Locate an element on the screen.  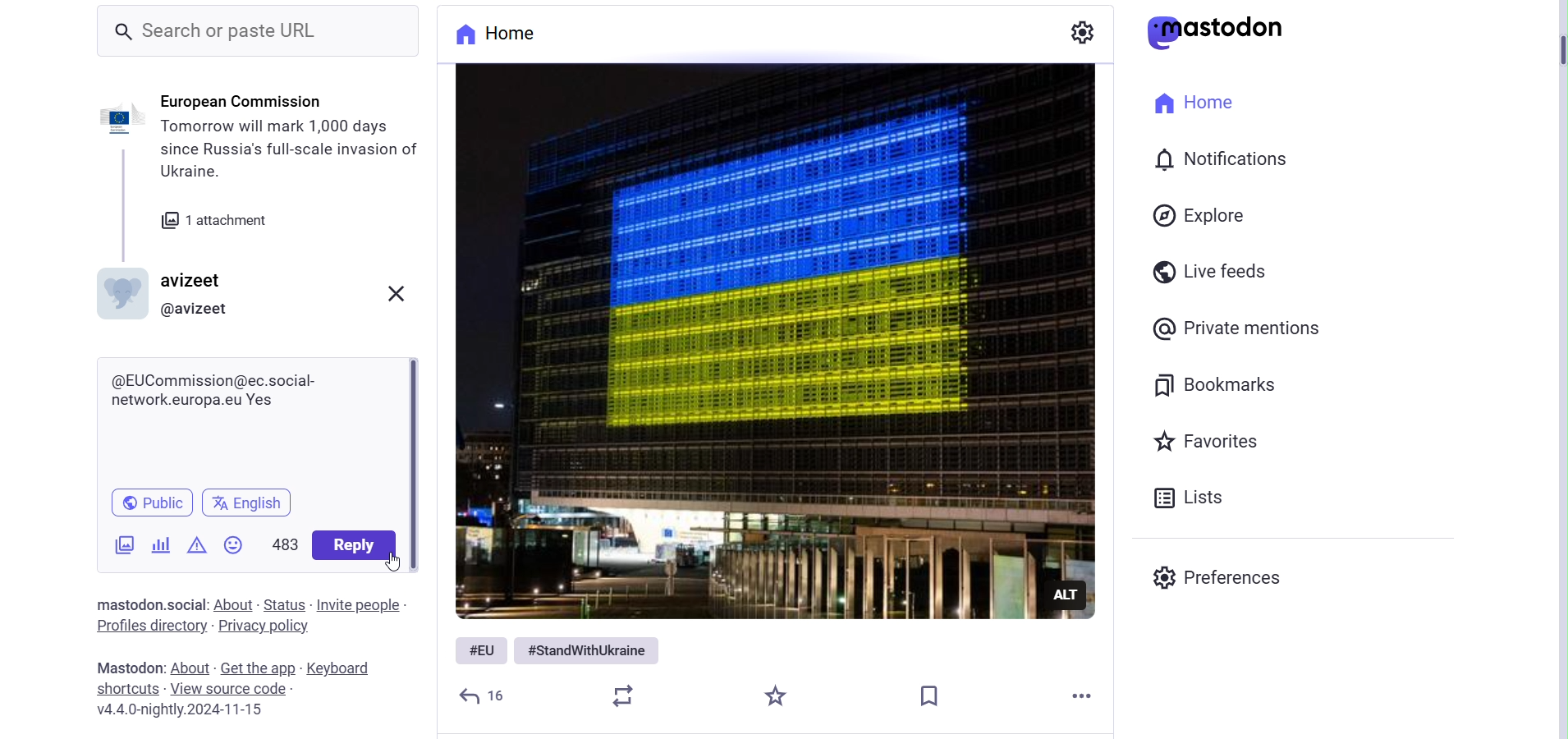
Public is located at coordinates (152, 501).